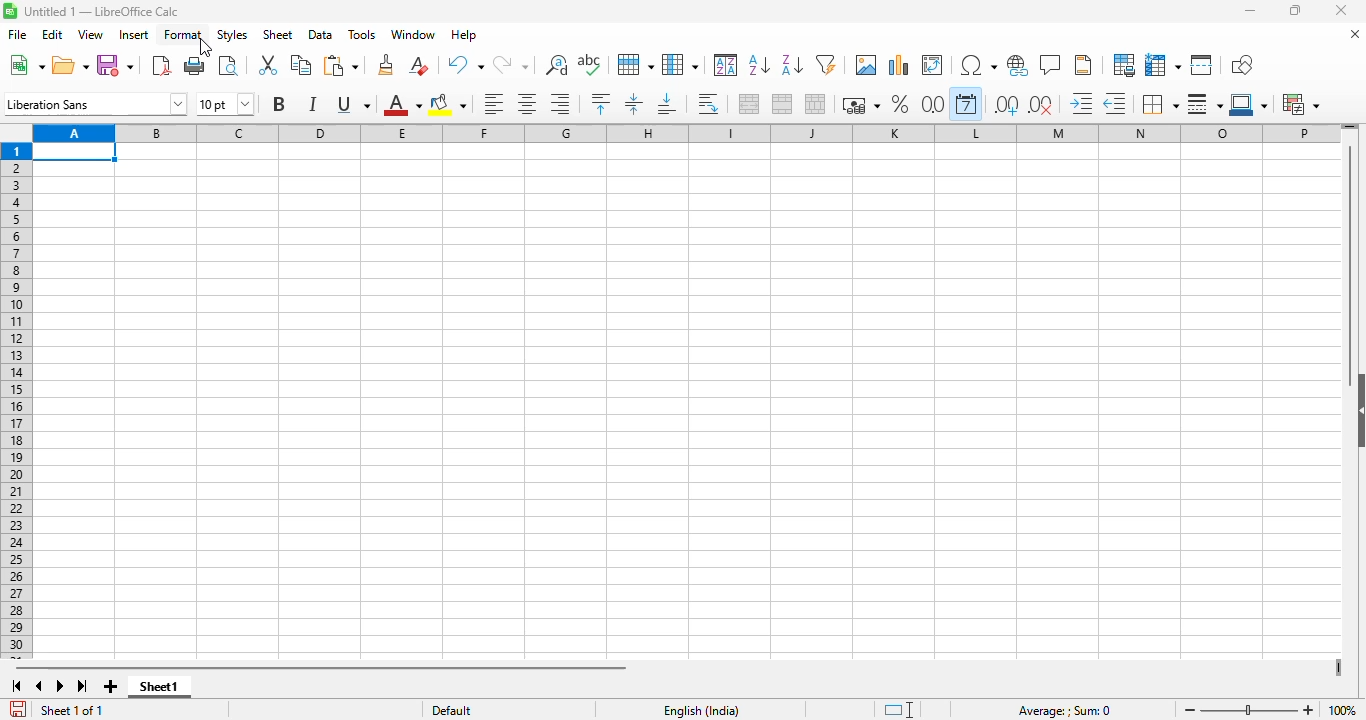  I want to click on paste, so click(341, 65).